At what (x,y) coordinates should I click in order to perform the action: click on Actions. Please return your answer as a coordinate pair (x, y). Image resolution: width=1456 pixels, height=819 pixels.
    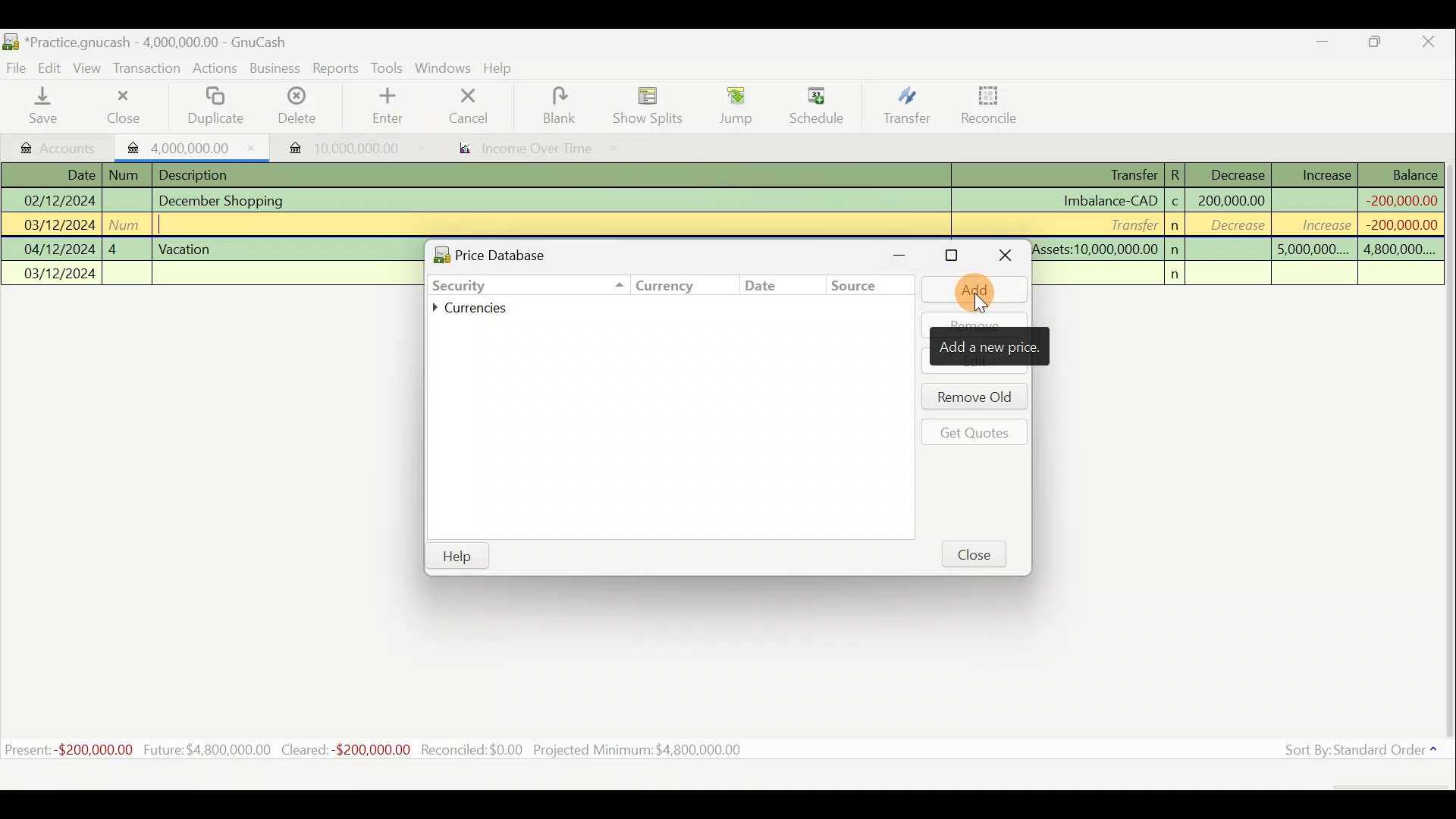
    Looking at the image, I should click on (217, 69).